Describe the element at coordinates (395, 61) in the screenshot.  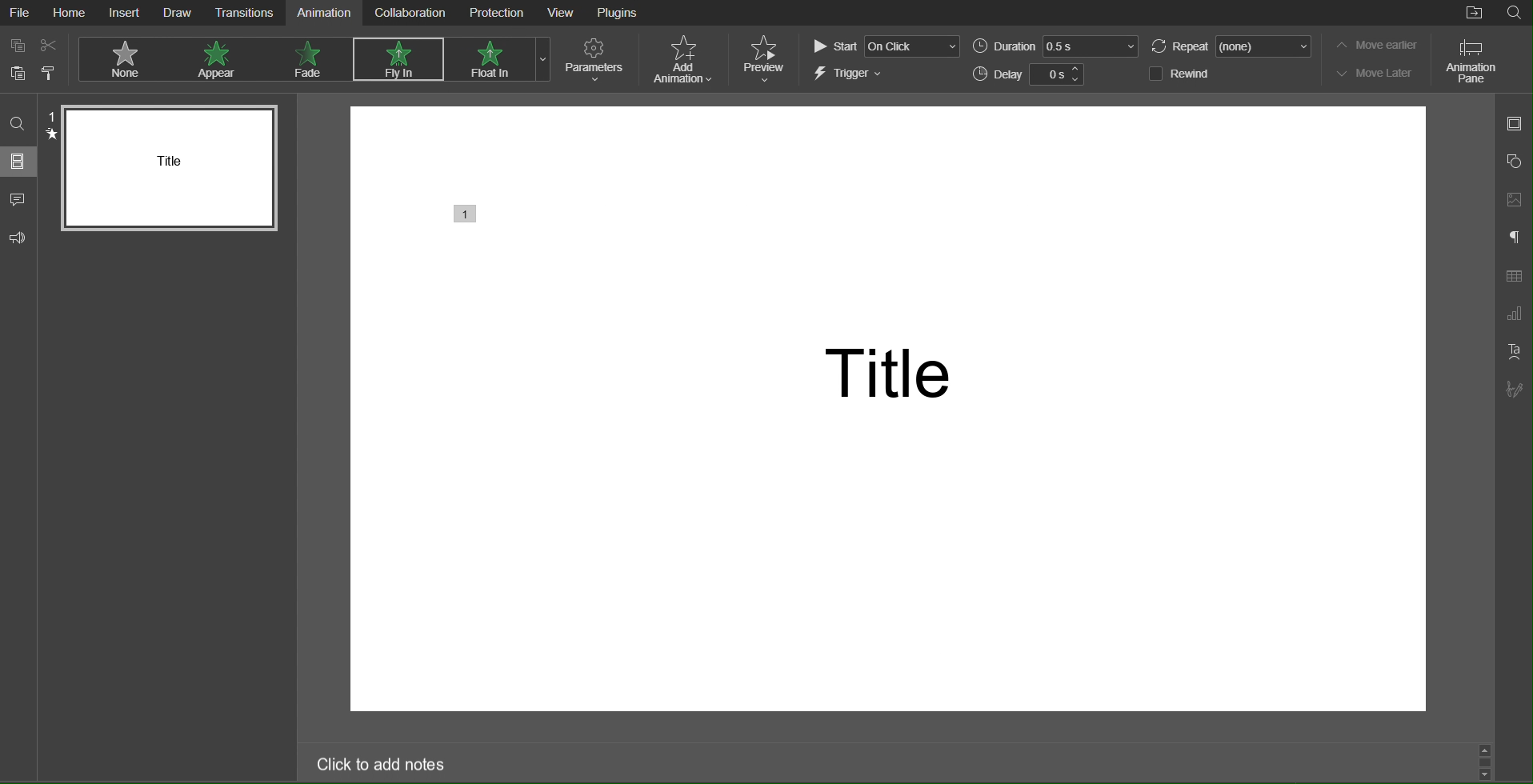
I see `Fly In` at that location.